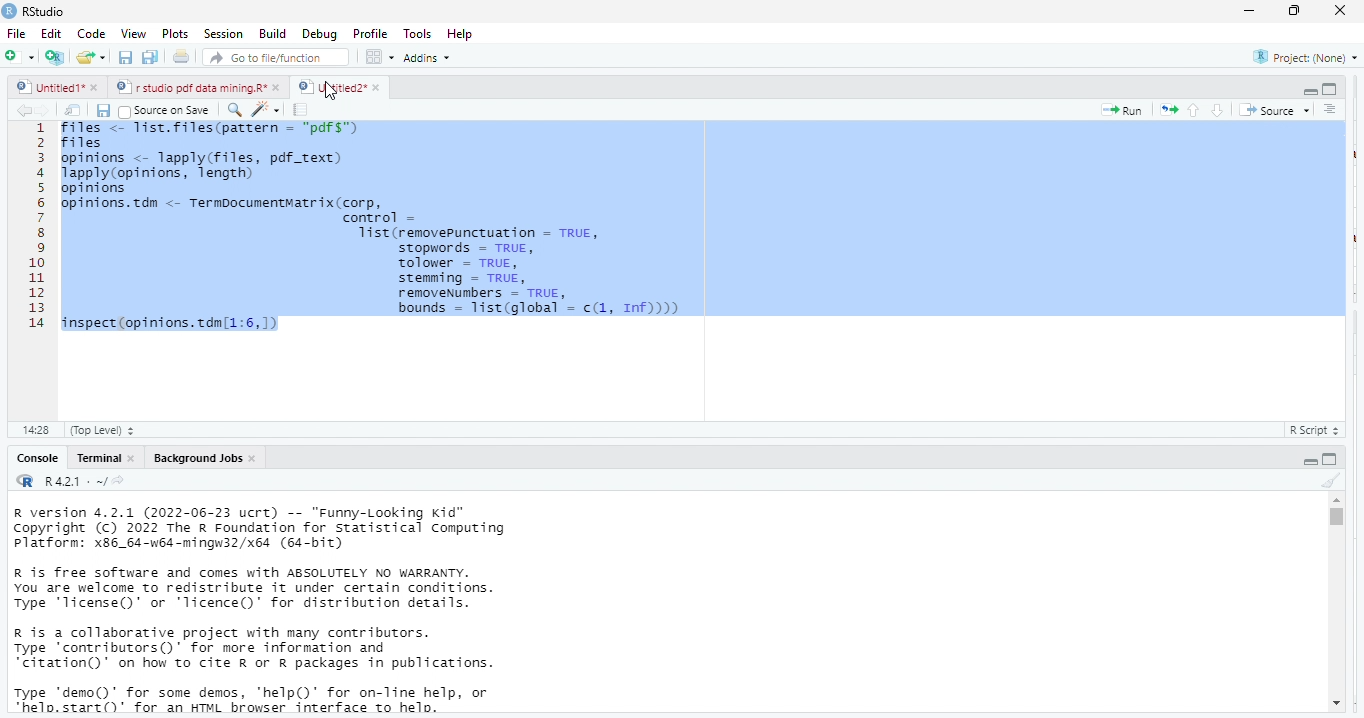  Describe the element at coordinates (104, 109) in the screenshot. I see `save current` at that location.